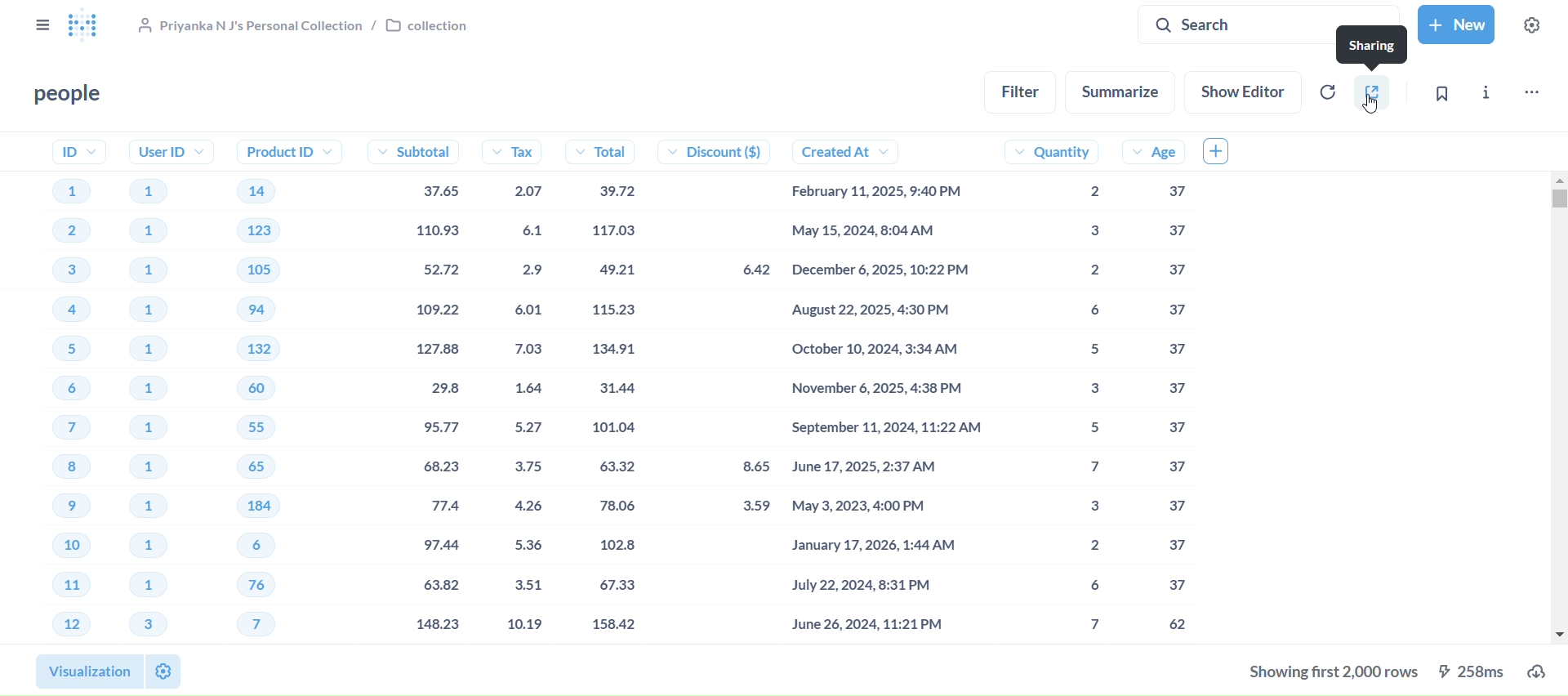 This screenshot has width=1568, height=696. Describe the element at coordinates (412, 388) in the screenshot. I see `subtotal` at that location.